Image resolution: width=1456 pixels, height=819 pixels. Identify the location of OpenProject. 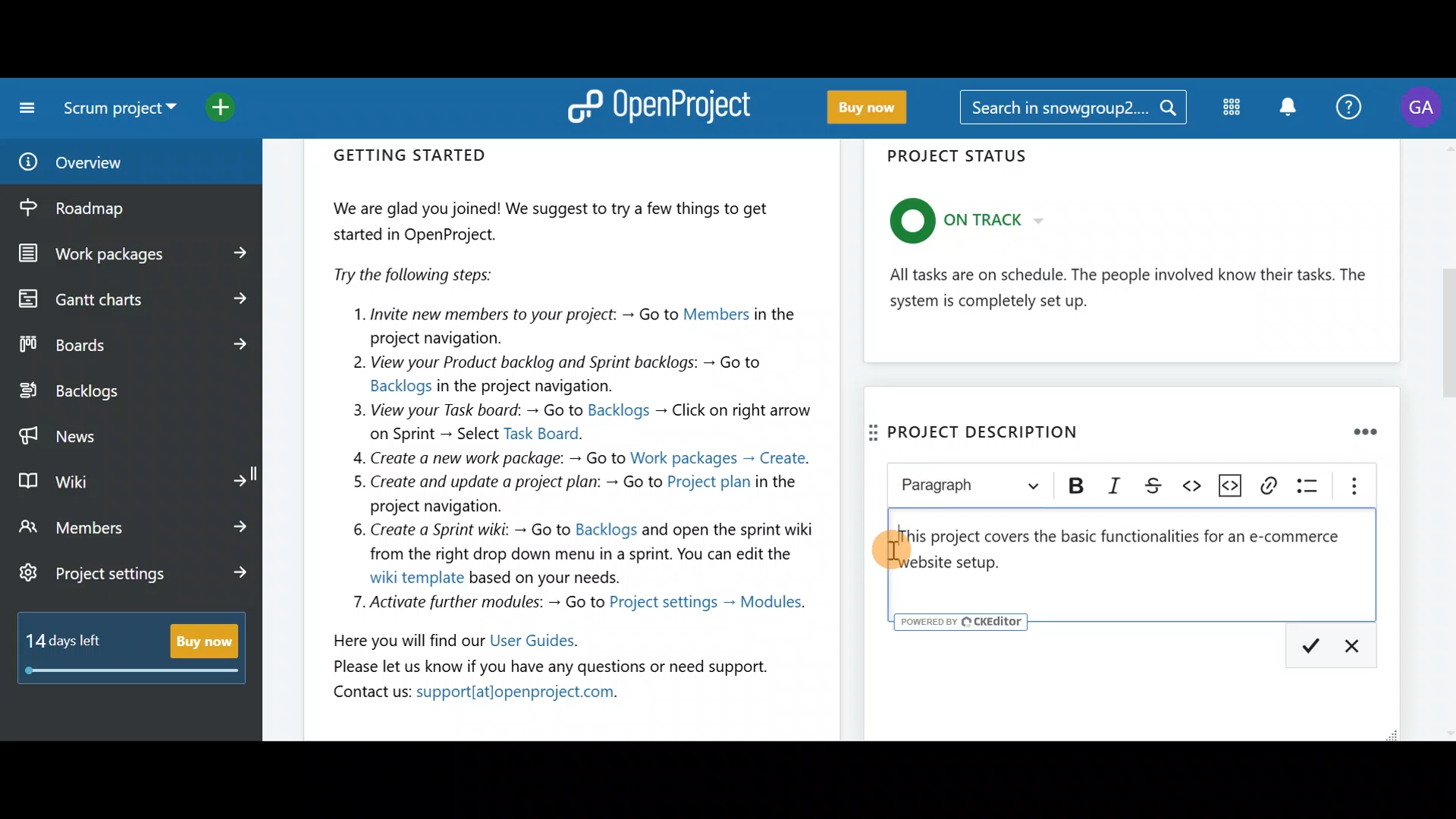
(664, 105).